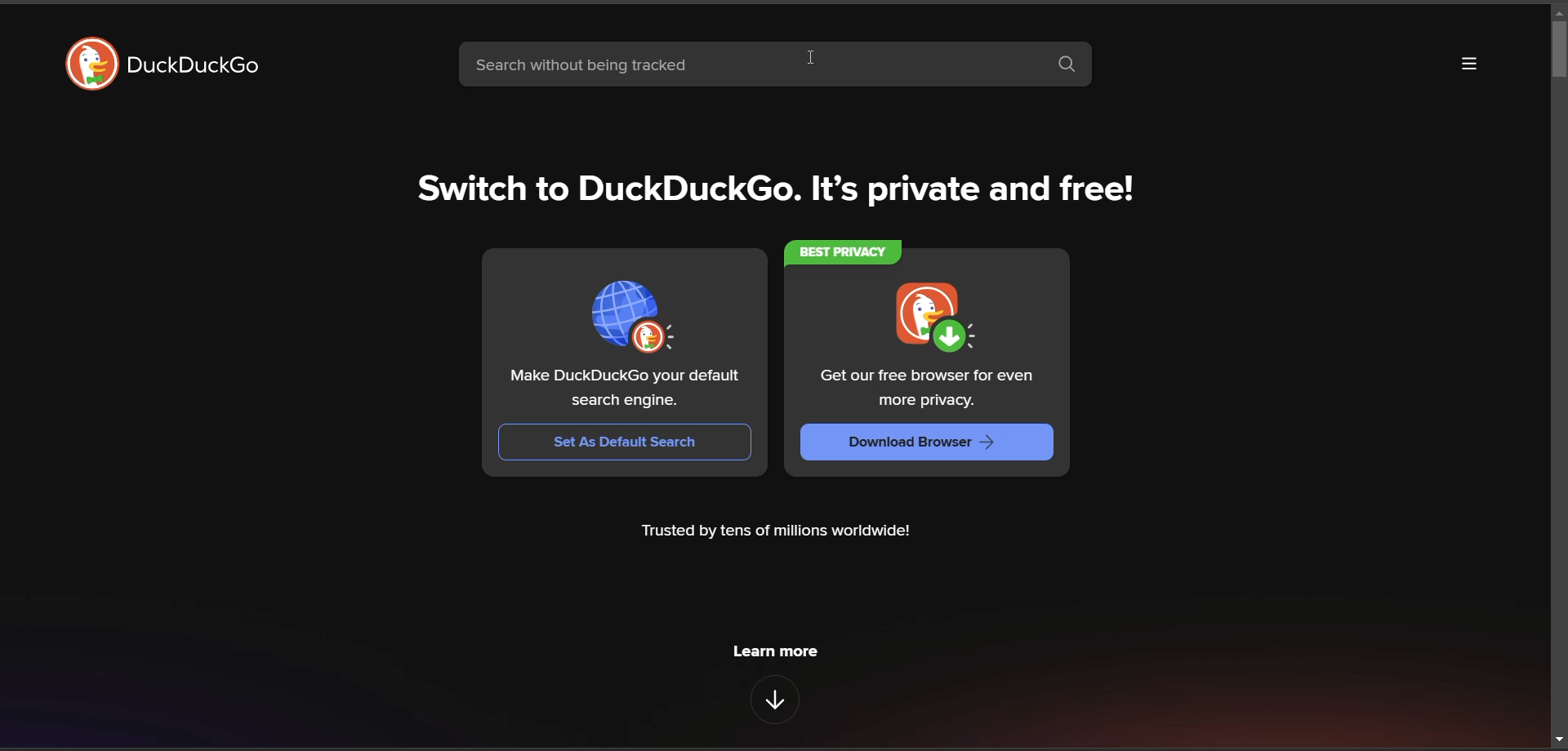 The height and width of the screenshot is (751, 1568). I want to click on logo and title, so click(158, 67).